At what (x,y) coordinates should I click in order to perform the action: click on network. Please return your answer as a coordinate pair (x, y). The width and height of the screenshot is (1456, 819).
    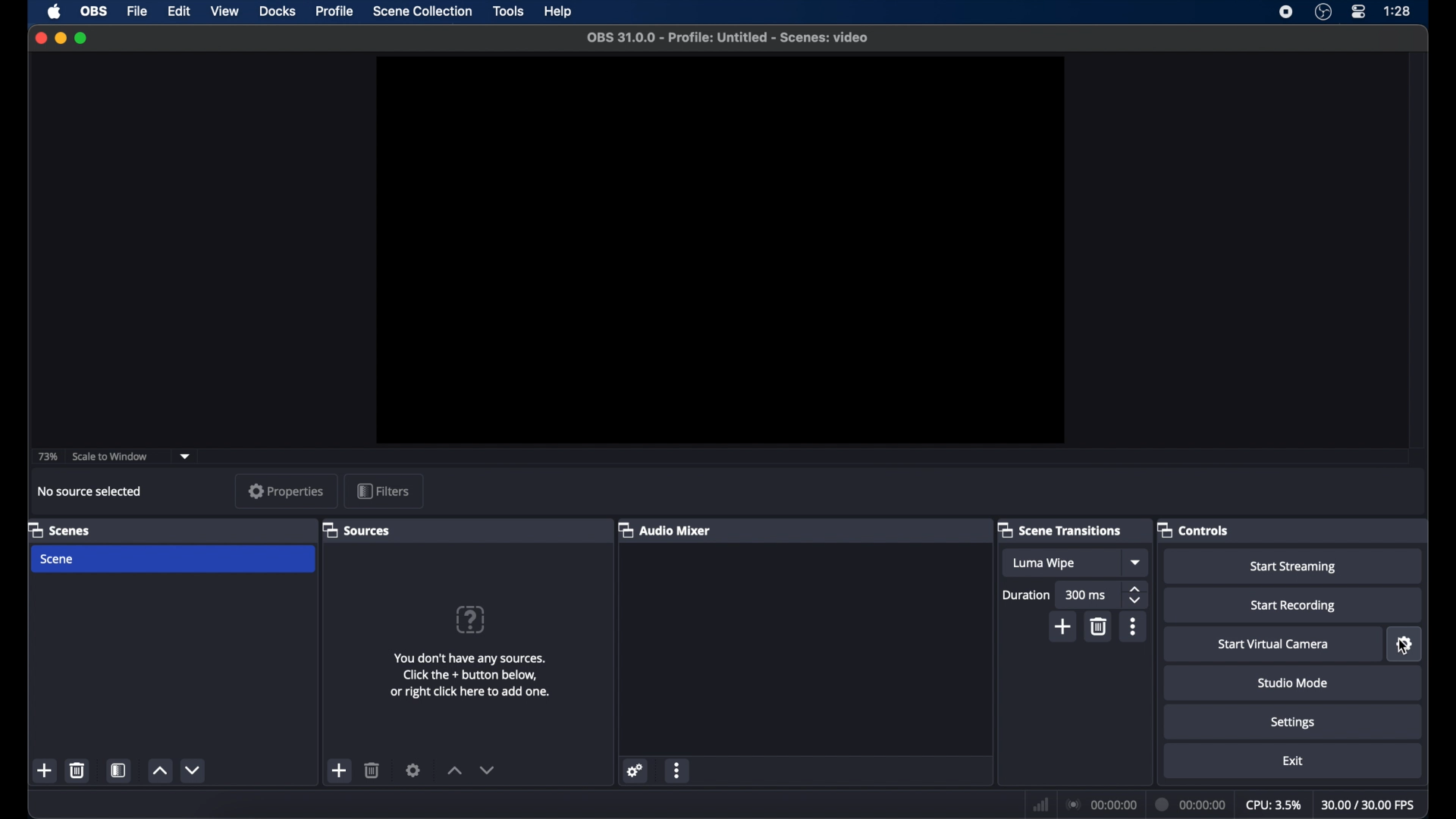
    Looking at the image, I should click on (1041, 804).